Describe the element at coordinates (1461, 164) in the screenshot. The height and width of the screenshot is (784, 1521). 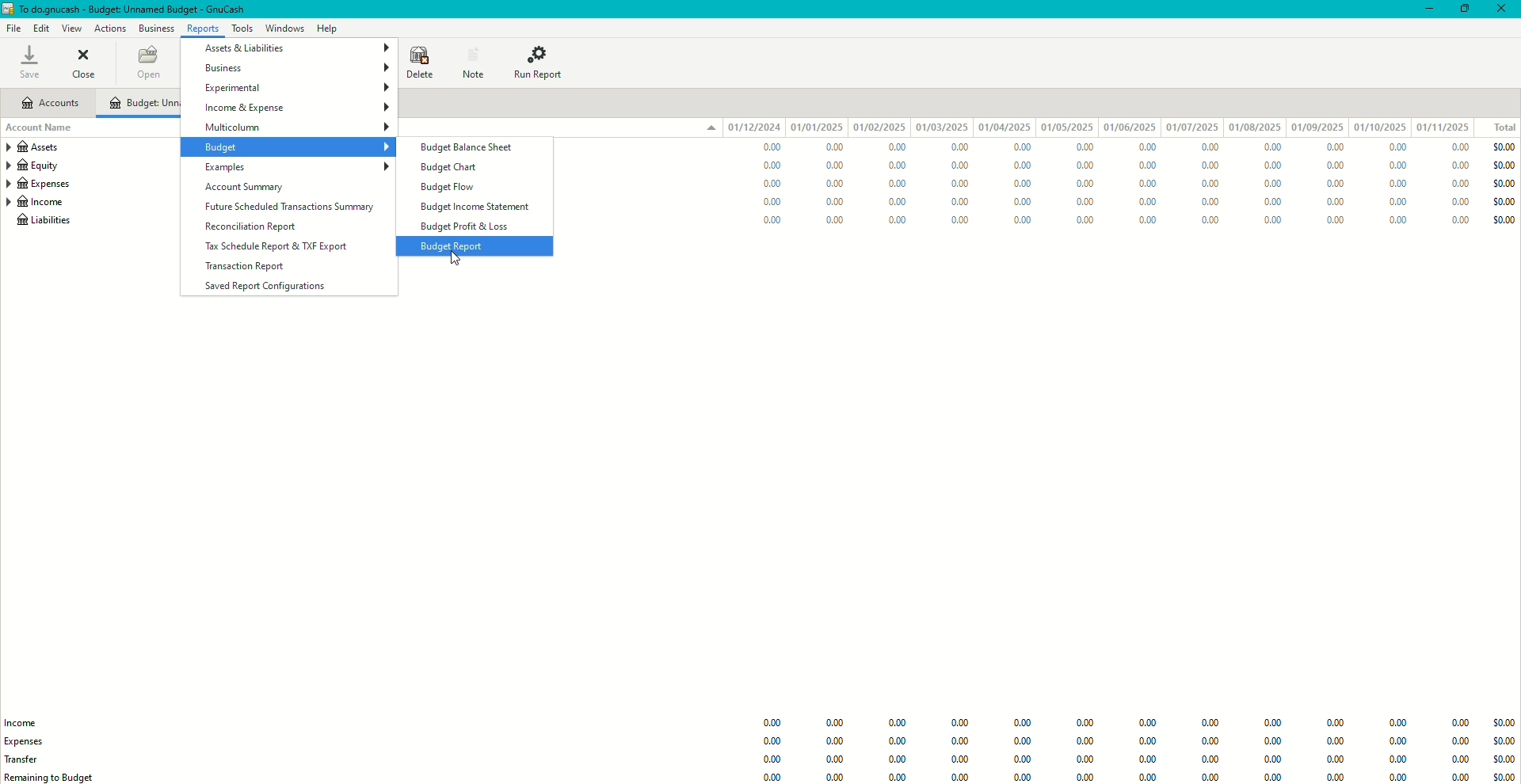
I see `0.00` at that location.